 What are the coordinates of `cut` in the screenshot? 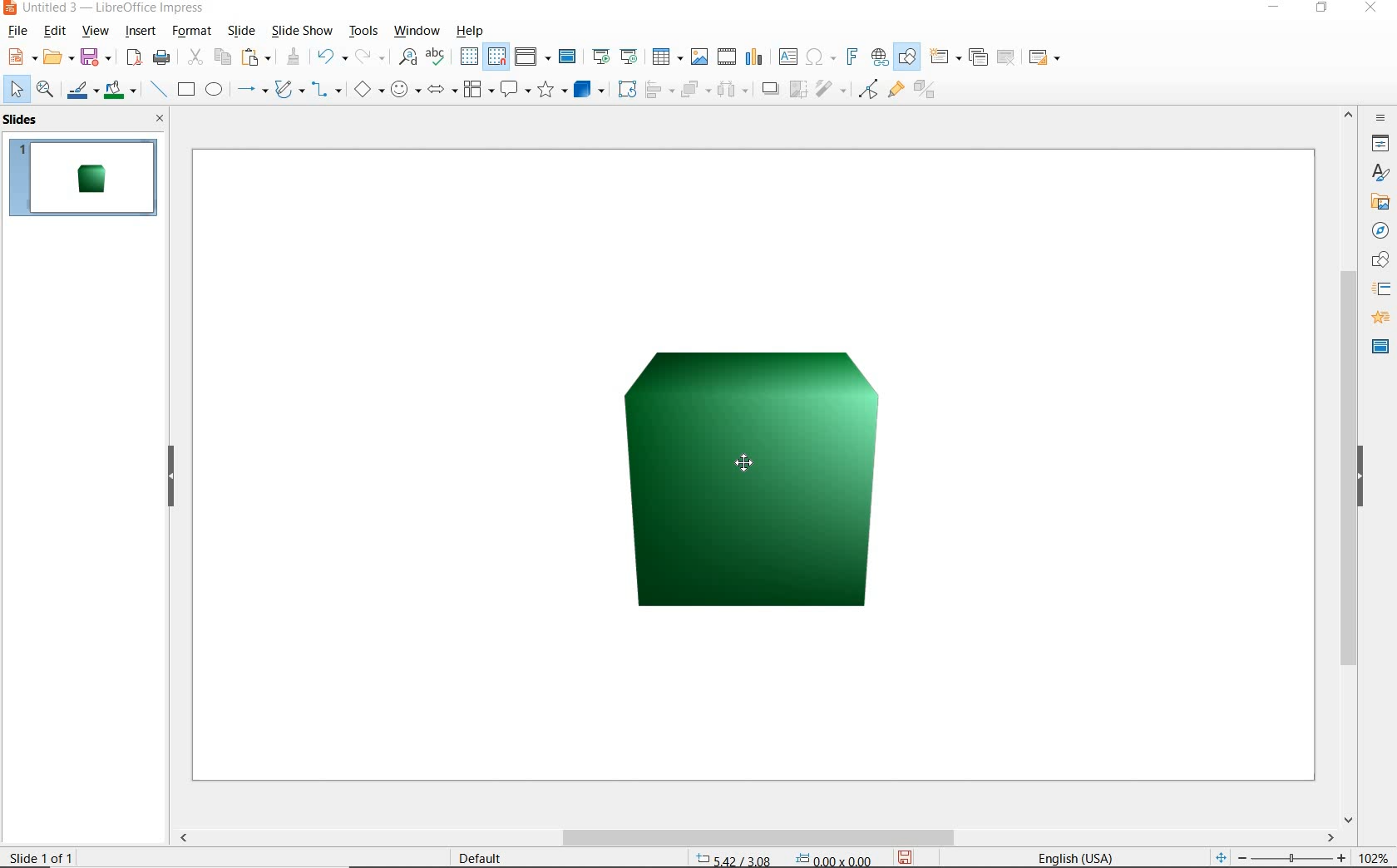 It's located at (196, 57).